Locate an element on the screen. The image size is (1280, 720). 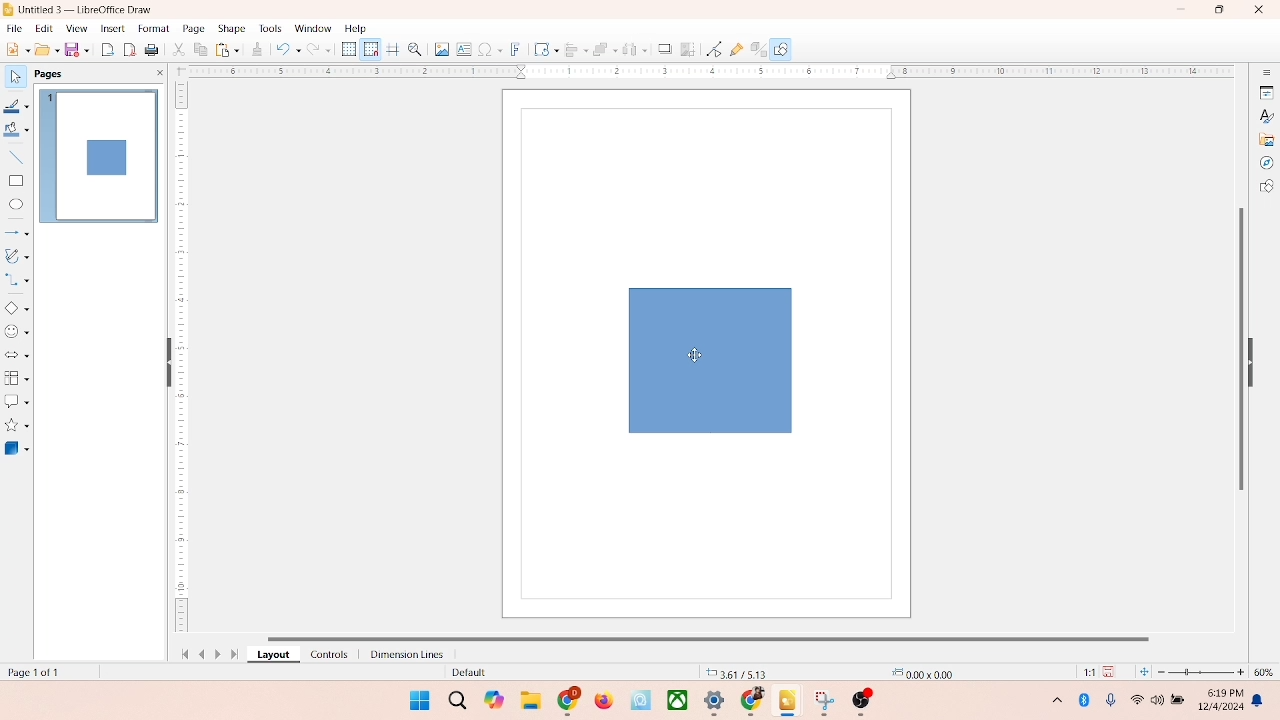
show grid is located at coordinates (348, 50).